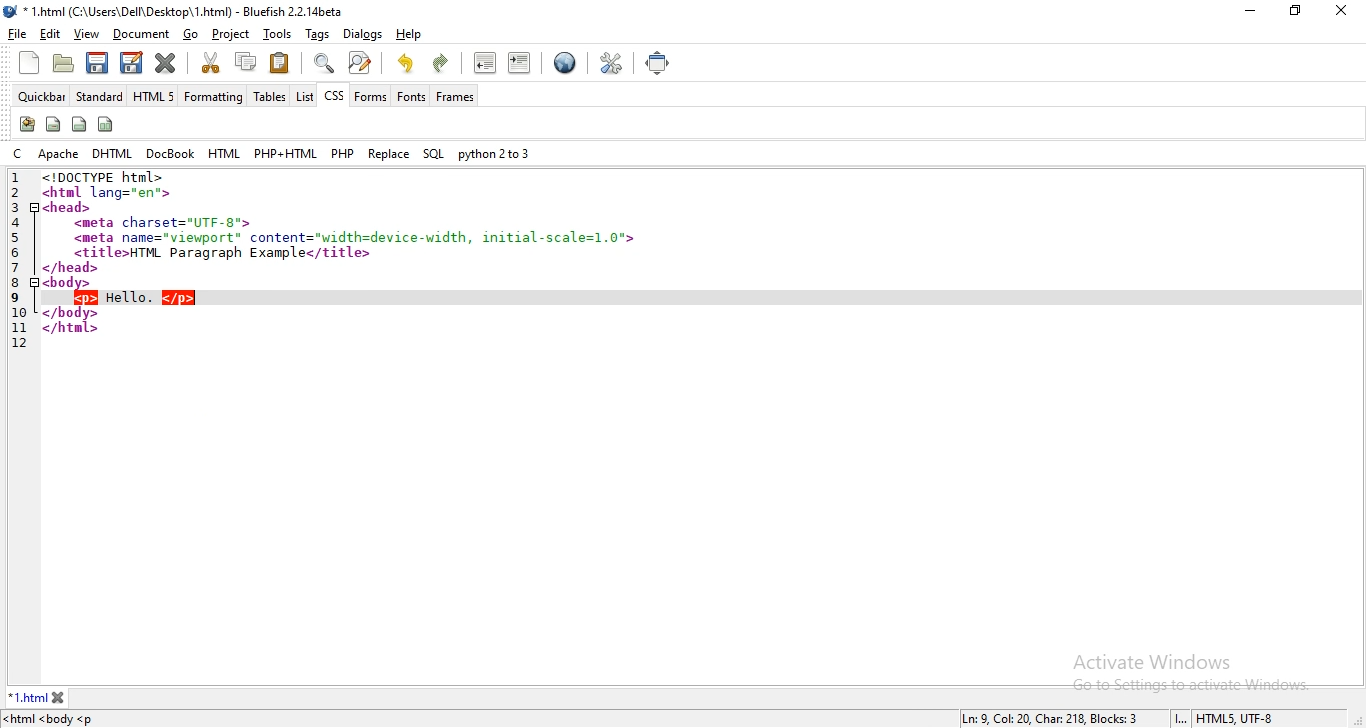  What do you see at coordinates (365, 36) in the screenshot?
I see `dialogs` at bounding box center [365, 36].